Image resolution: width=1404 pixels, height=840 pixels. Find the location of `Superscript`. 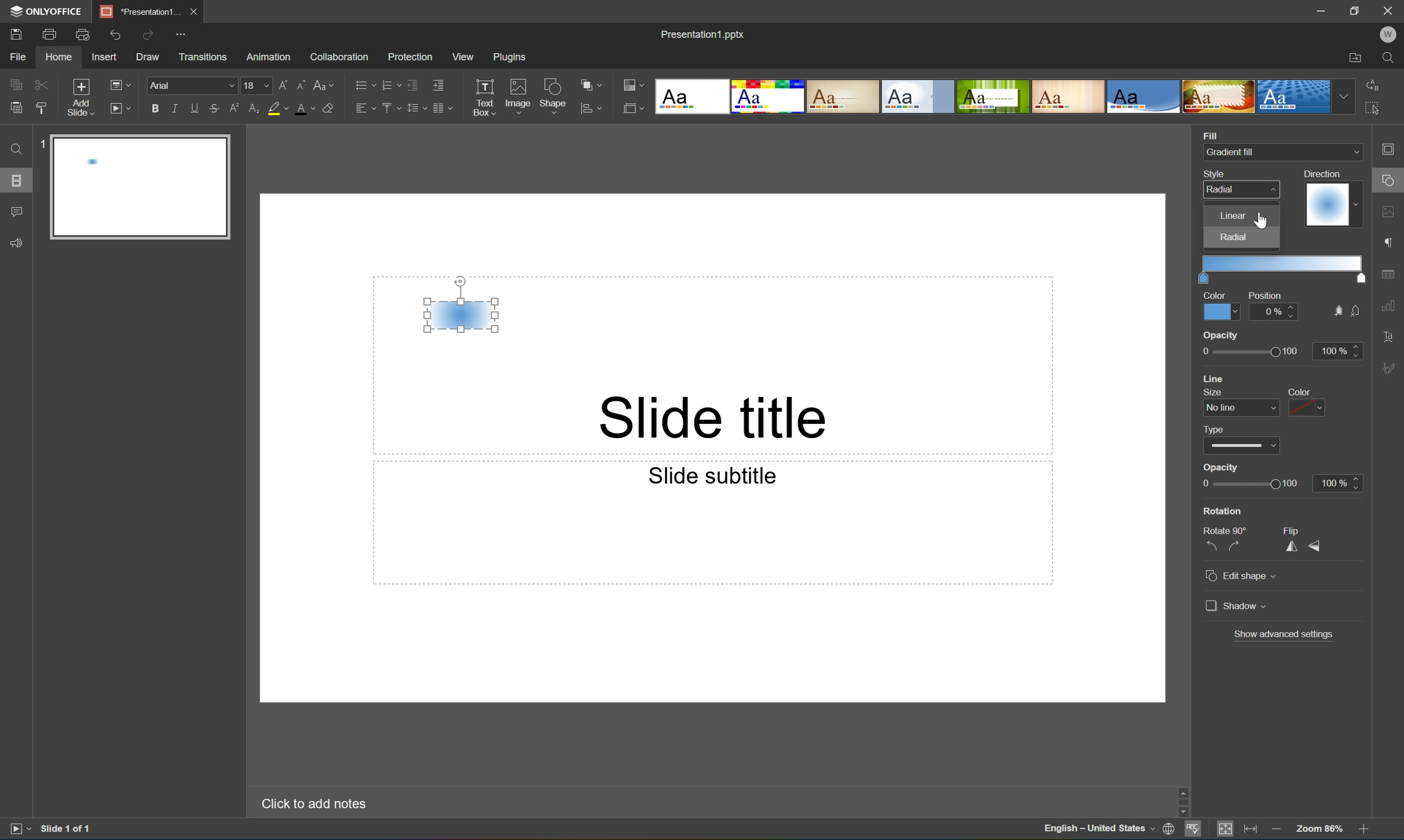

Superscript is located at coordinates (236, 109).